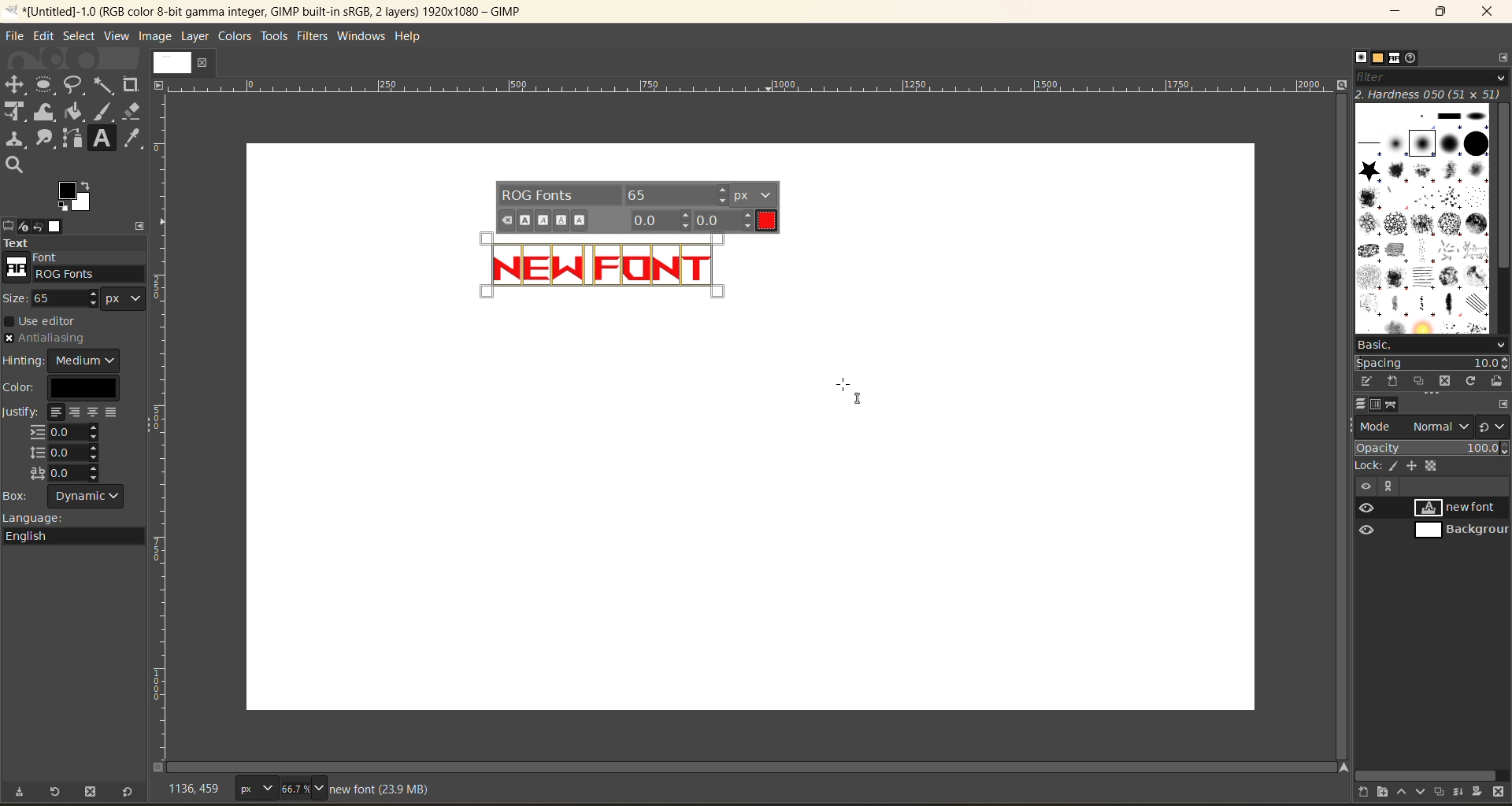  I want to click on image, so click(169, 63).